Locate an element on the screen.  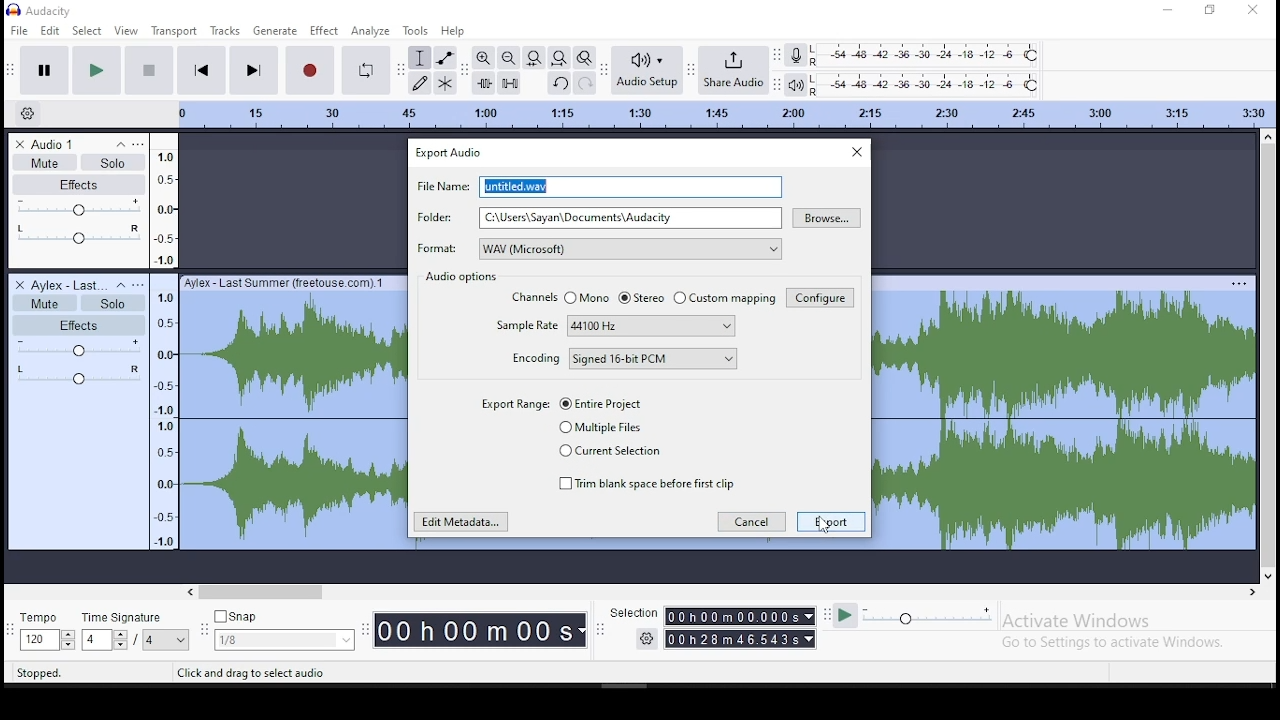
delete track is located at coordinates (18, 284).